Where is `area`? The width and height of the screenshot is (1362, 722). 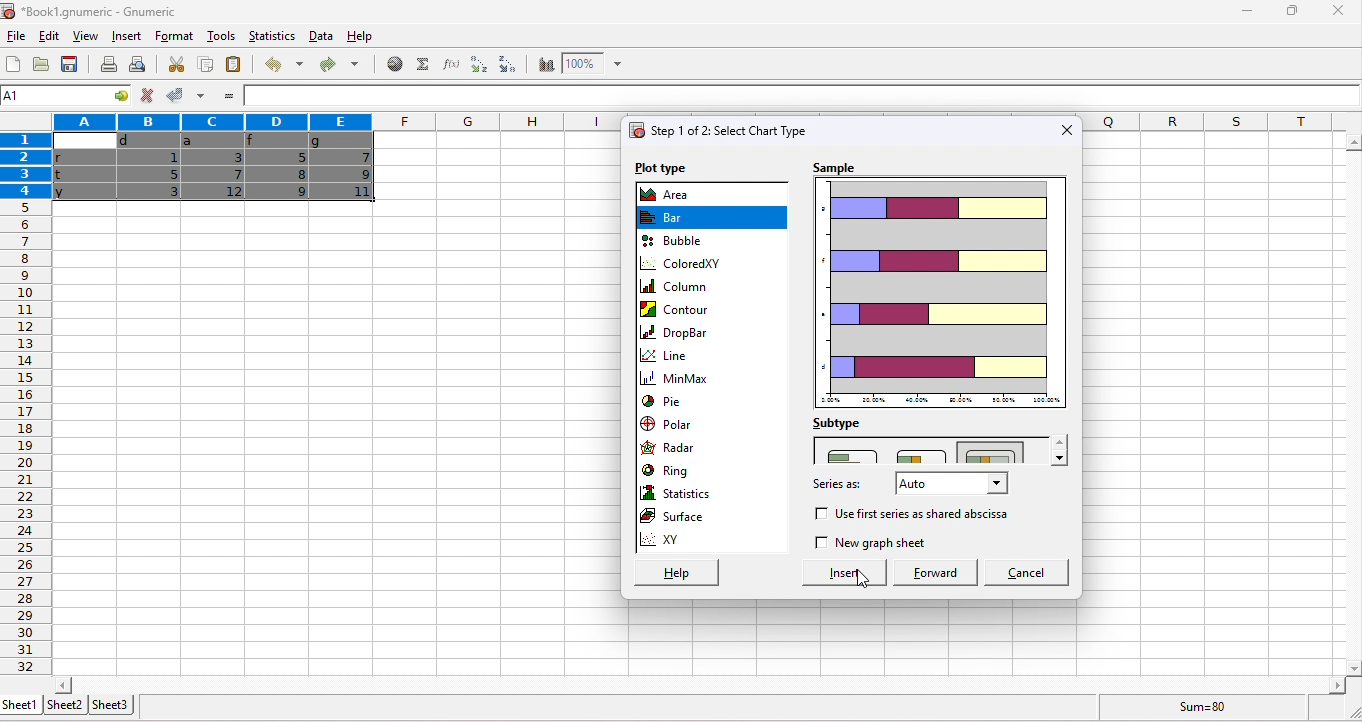
area is located at coordinates (672, 195).